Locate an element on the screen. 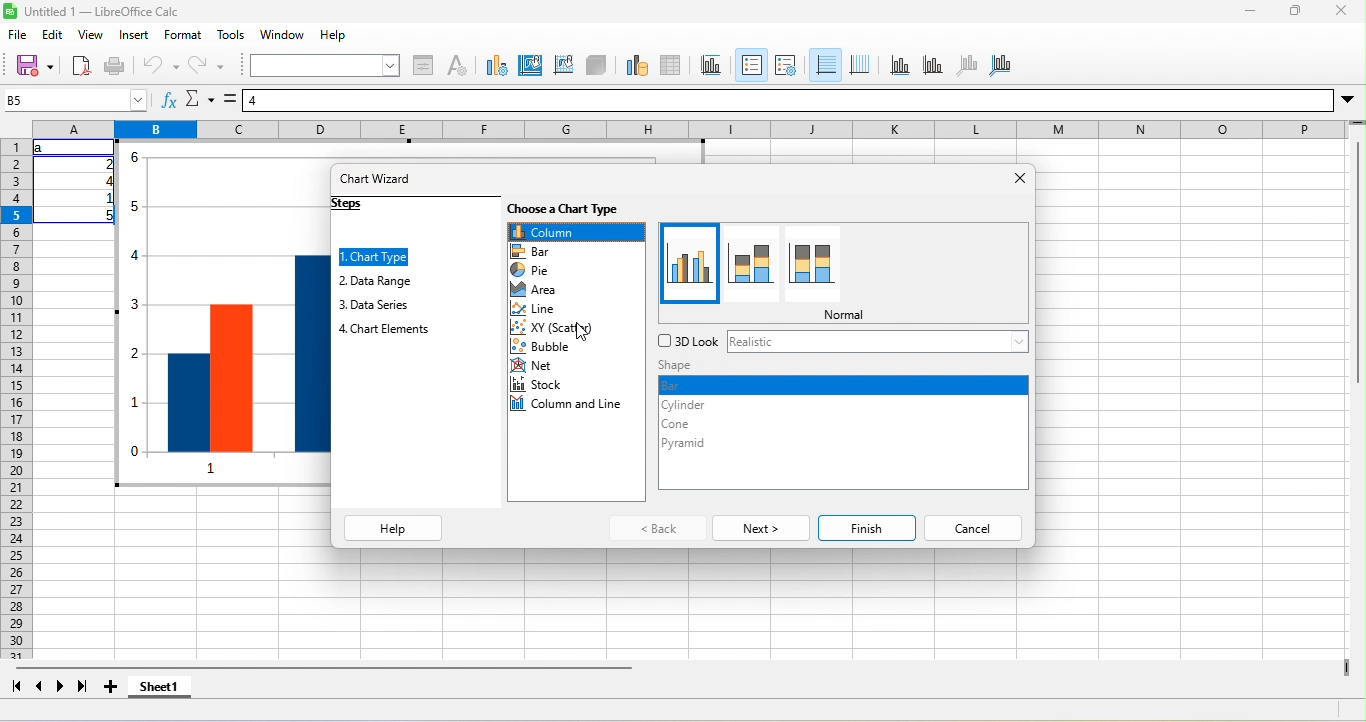 Image resolution: width=1366 pixels, height=722 pixels. data series is located at coordinates (374, 305).